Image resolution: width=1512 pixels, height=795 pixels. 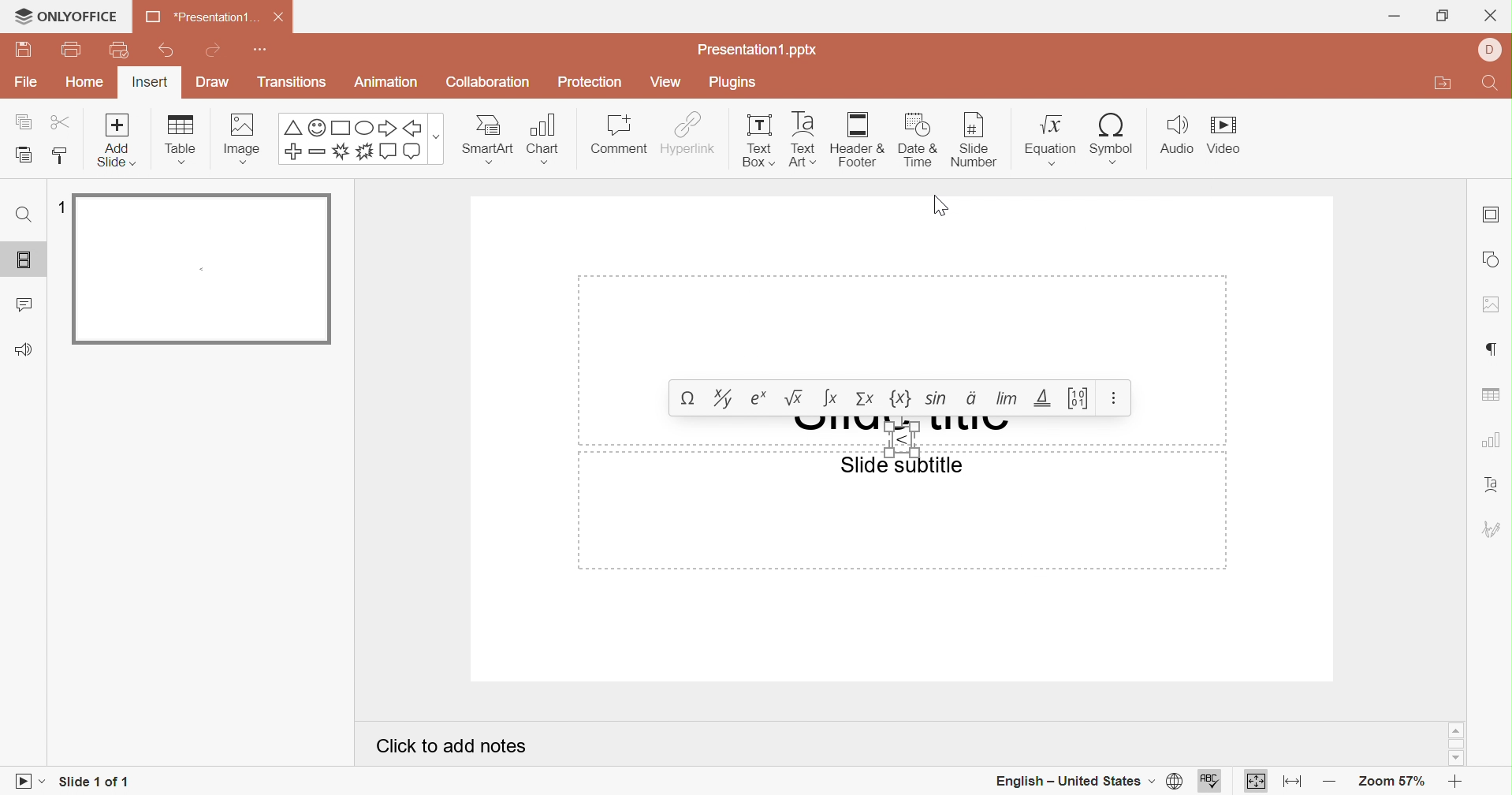 I want to click on Insert, so click(x=151, y=82).